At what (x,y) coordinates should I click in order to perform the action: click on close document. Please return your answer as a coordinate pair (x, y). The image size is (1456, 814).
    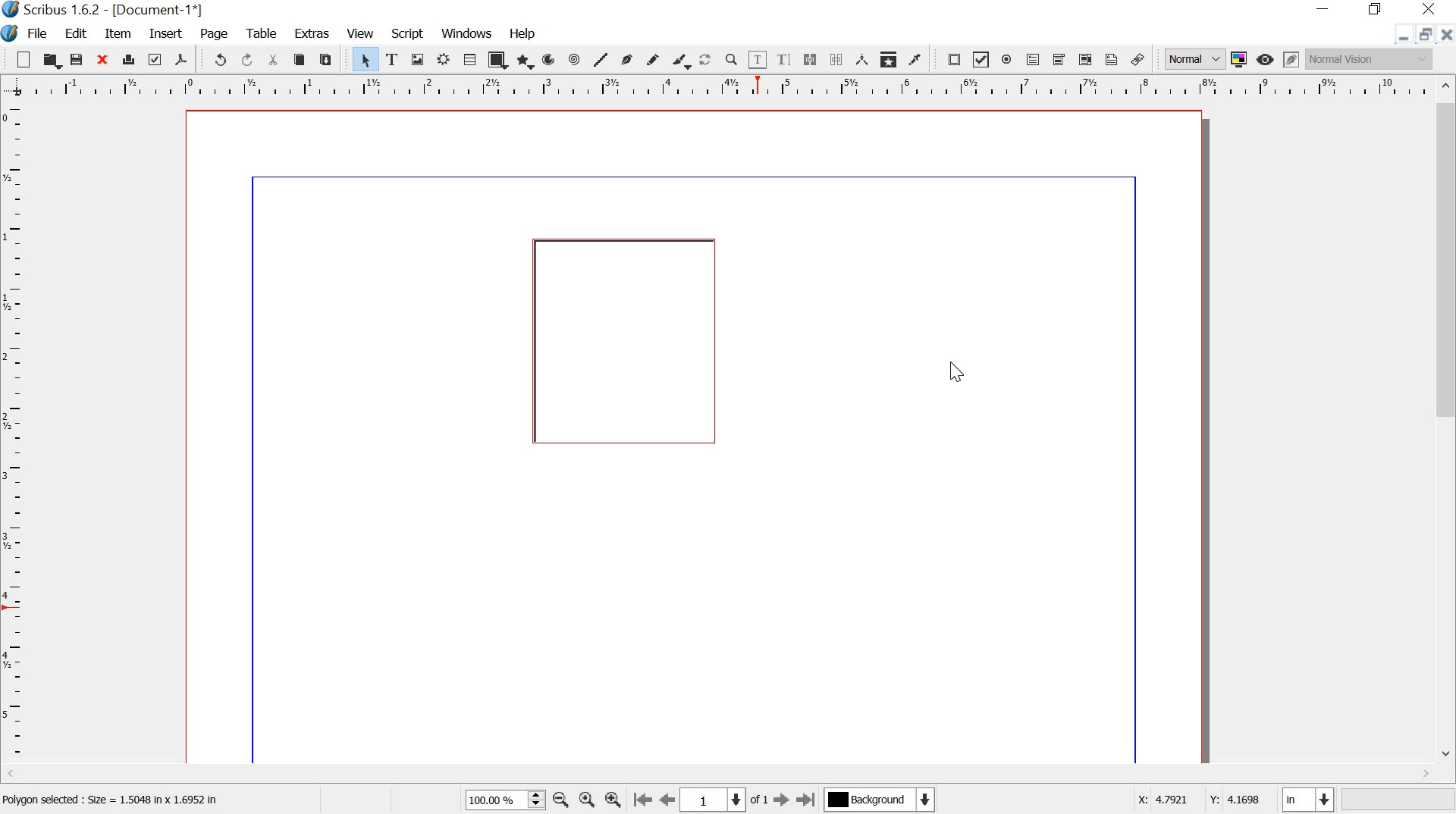
    Looking at the image, I should click on (1445, 35).